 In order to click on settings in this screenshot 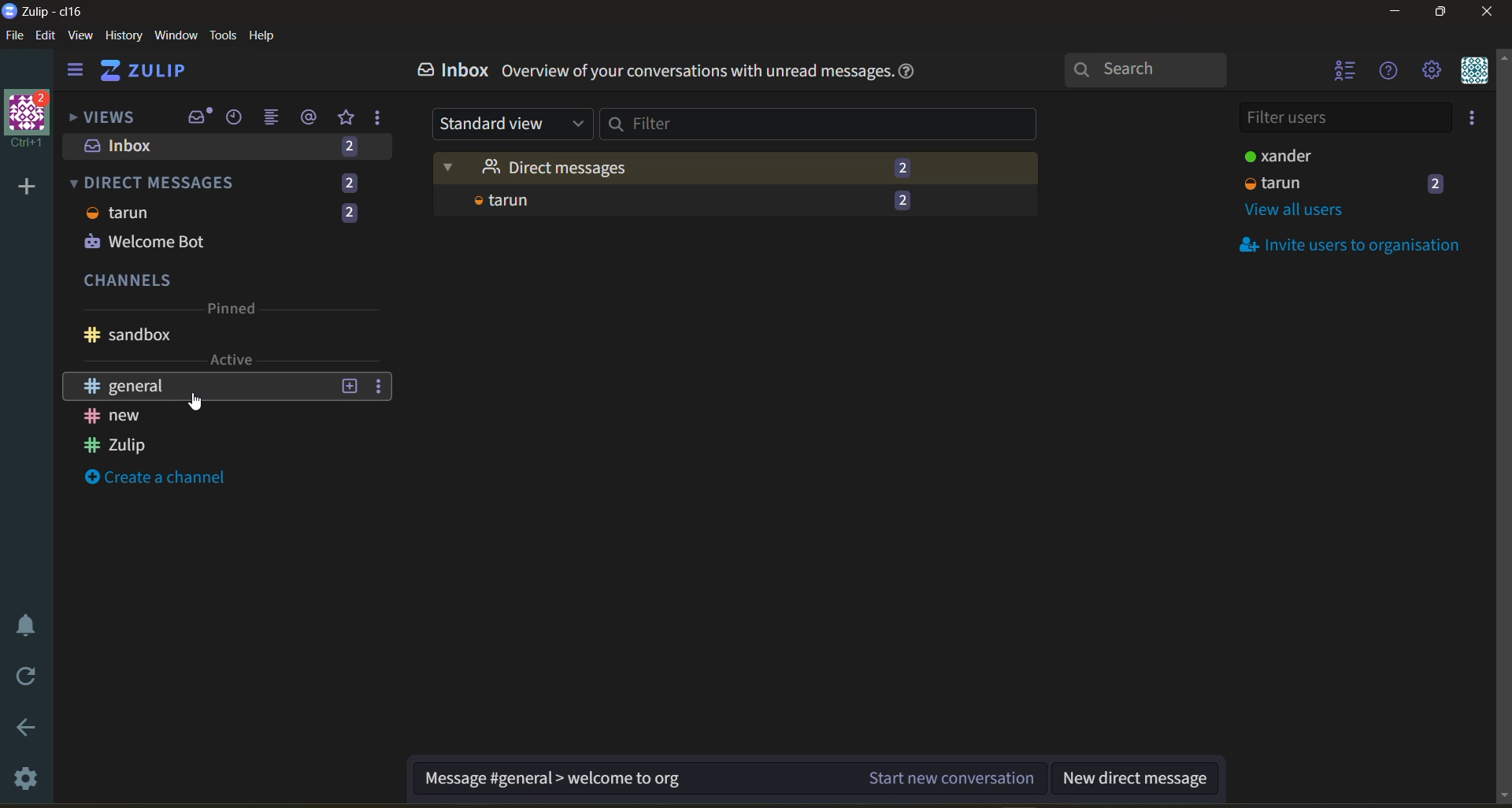, I will do `click(28, 781)`.